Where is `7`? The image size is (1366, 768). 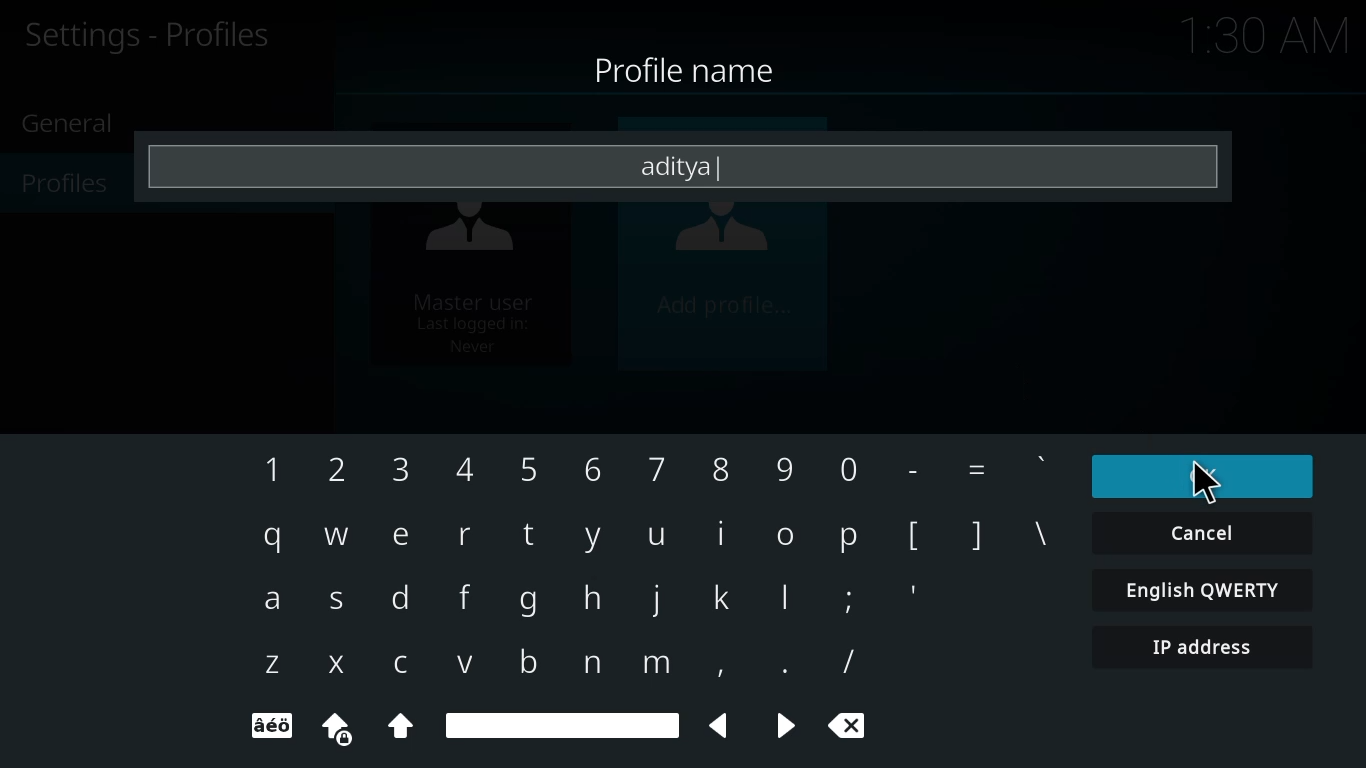
7 is located at coordinates (659, 470).